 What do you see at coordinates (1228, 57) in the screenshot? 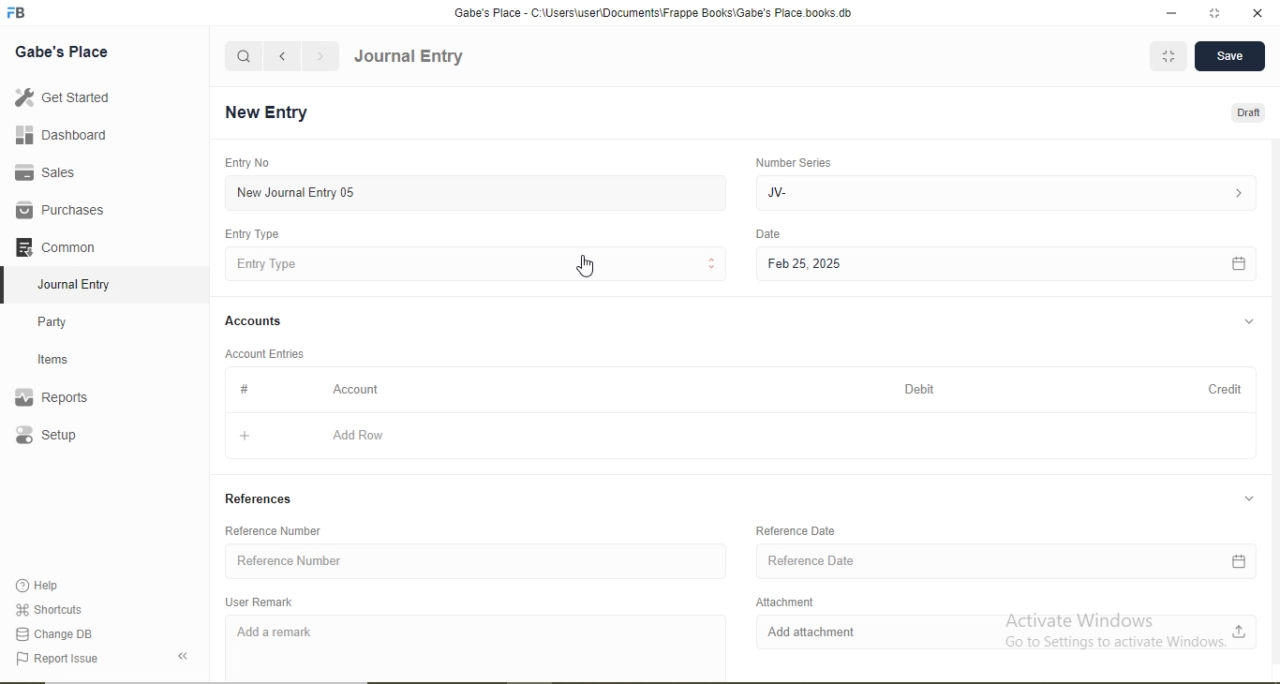
I see `Save` at bounding box center [1228, 57].